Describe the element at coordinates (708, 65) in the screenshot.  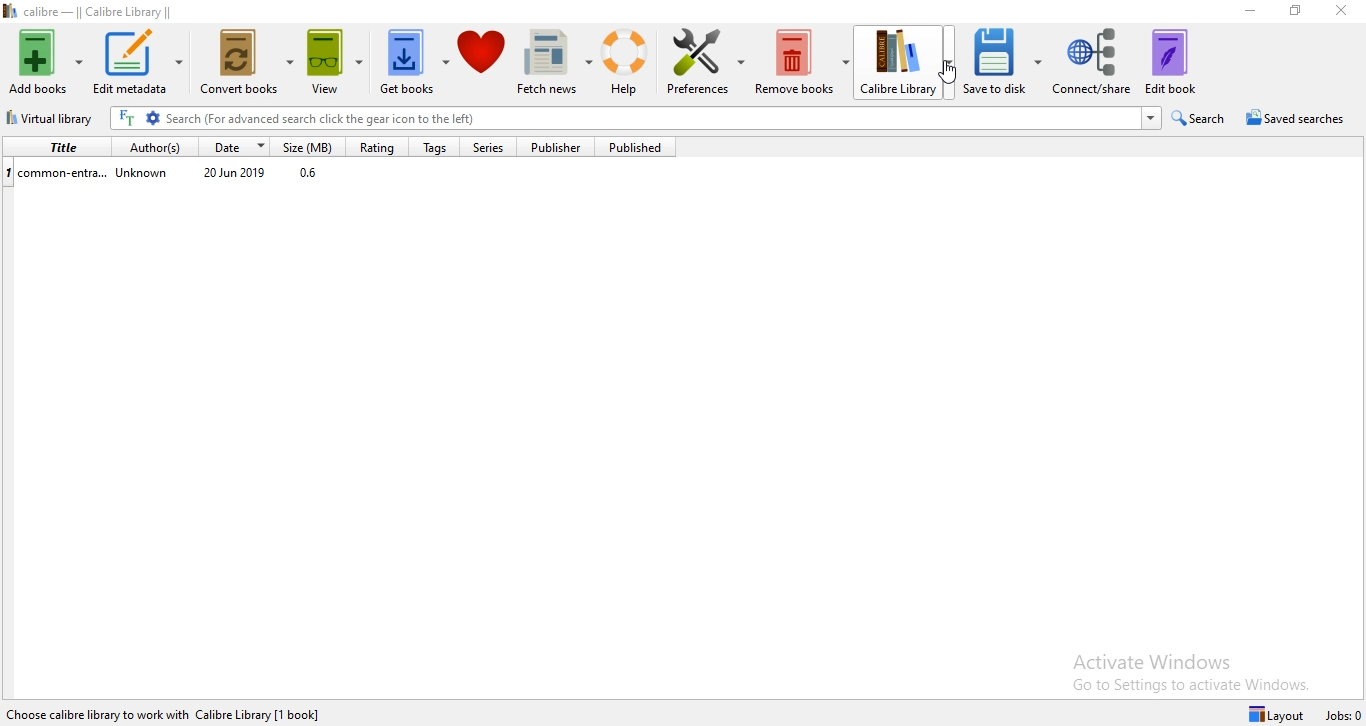
I see `Preference` at that location.